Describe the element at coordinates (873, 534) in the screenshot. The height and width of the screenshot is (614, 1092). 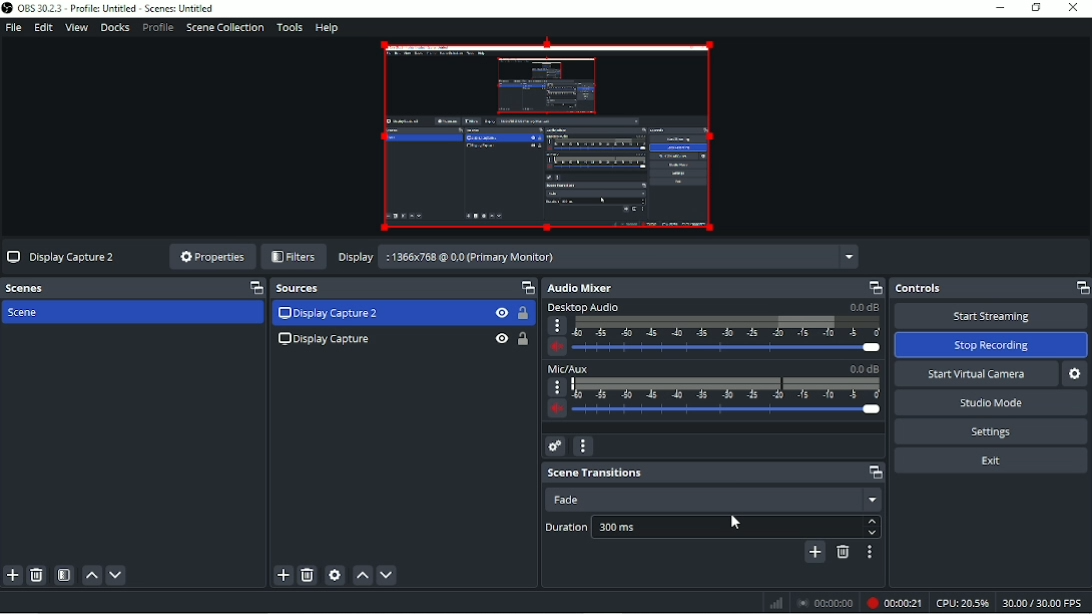
I see `down arrow` at that location.